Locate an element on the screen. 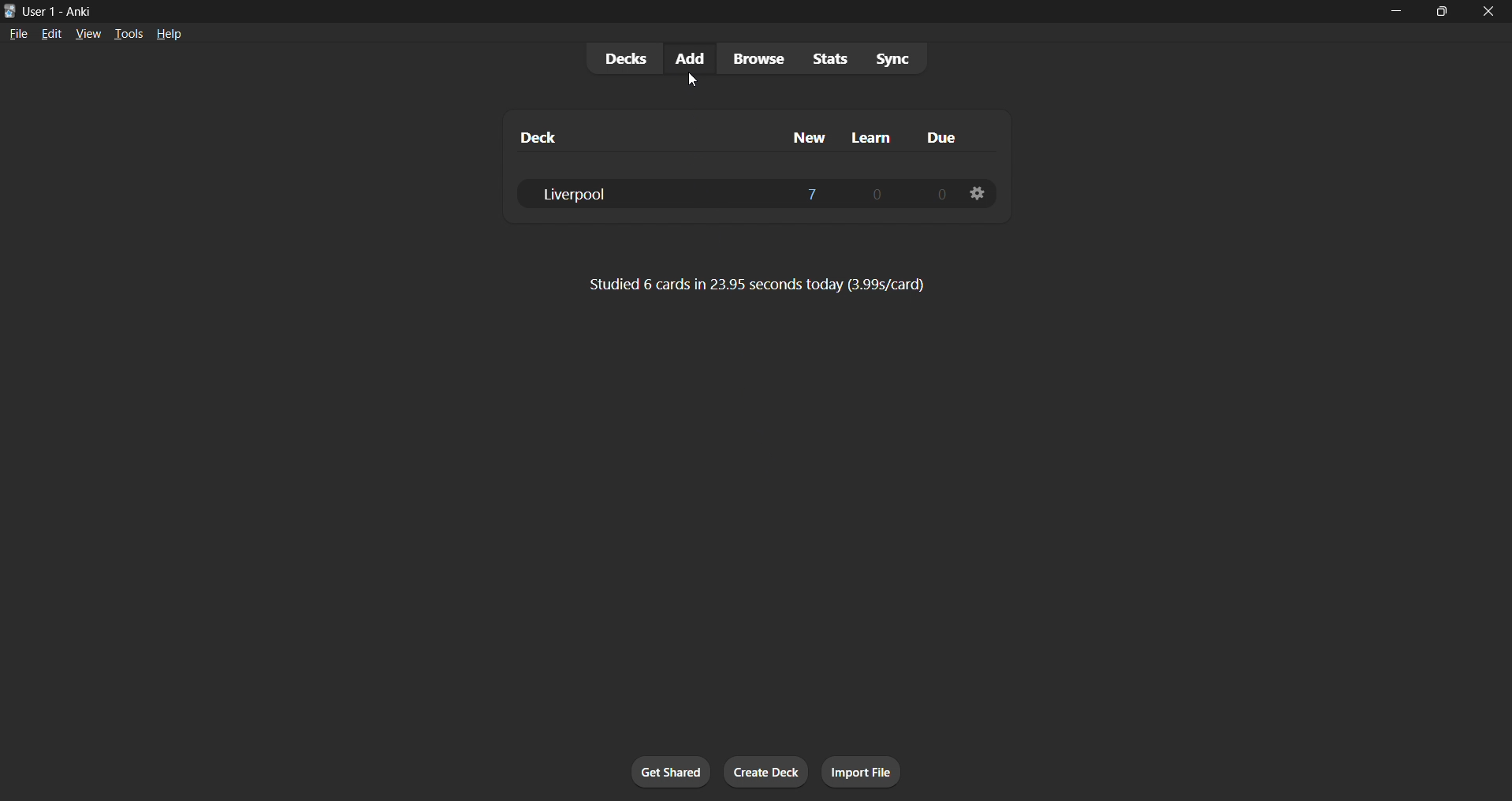 The width and height of the screenshot is (1512, 801). create deck is located at coordinates (767, 773).